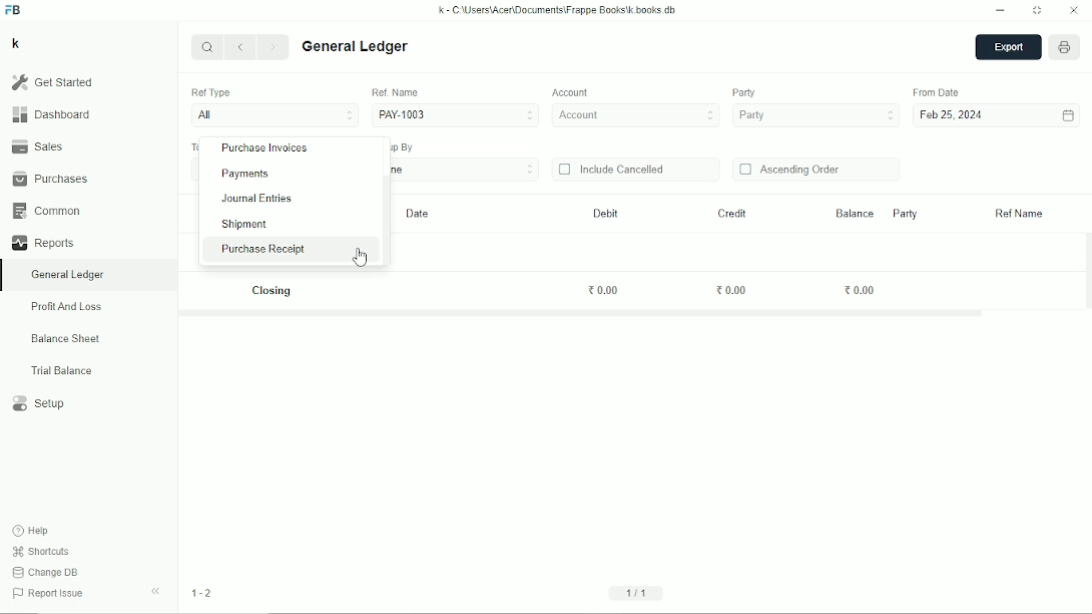  Describe the element at coordinates (42, 552) in the screenshot. I see `Shortcuts` at that location.